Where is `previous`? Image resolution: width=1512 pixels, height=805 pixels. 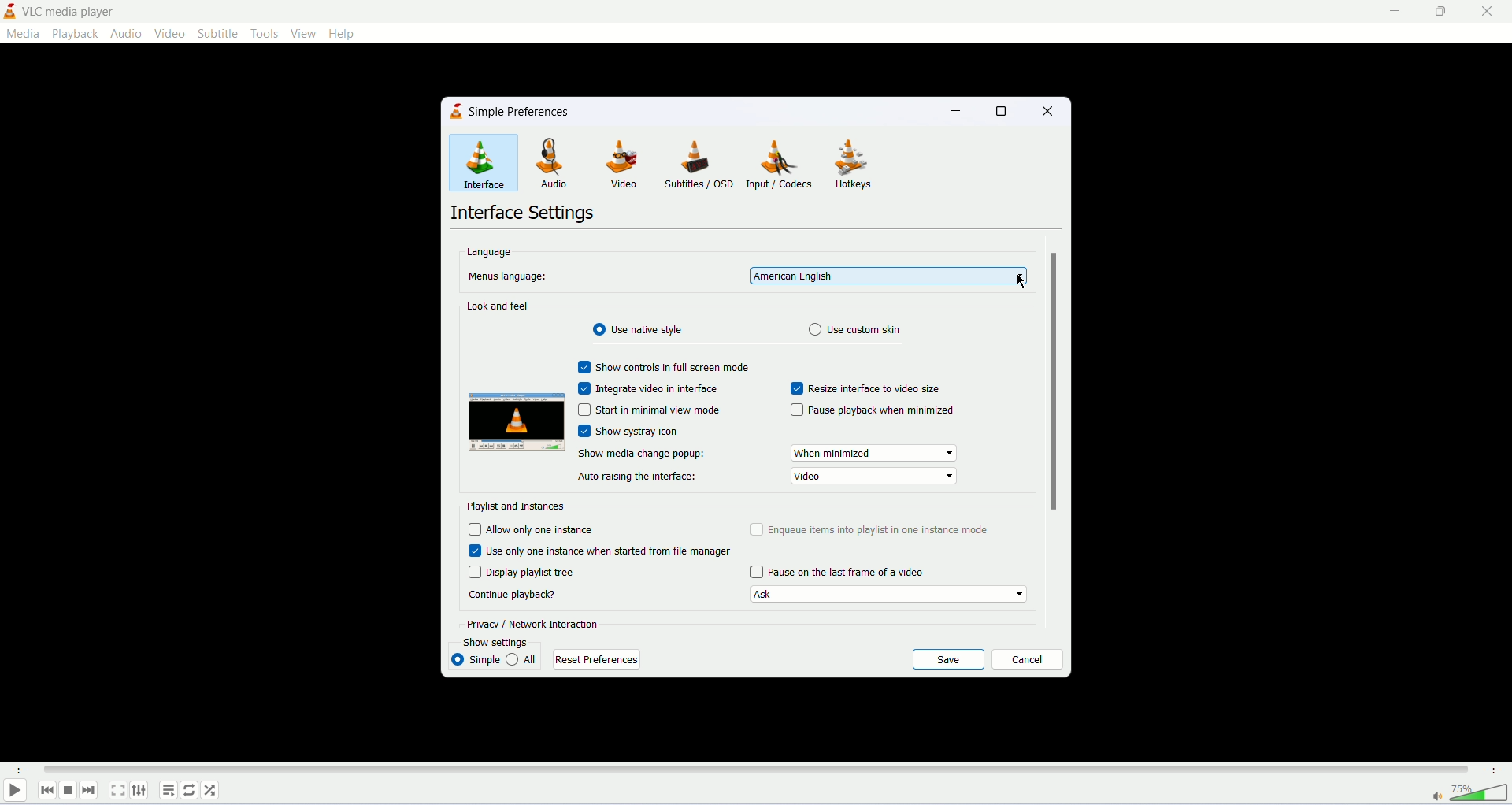
previous is located at coordinates (49, 792).